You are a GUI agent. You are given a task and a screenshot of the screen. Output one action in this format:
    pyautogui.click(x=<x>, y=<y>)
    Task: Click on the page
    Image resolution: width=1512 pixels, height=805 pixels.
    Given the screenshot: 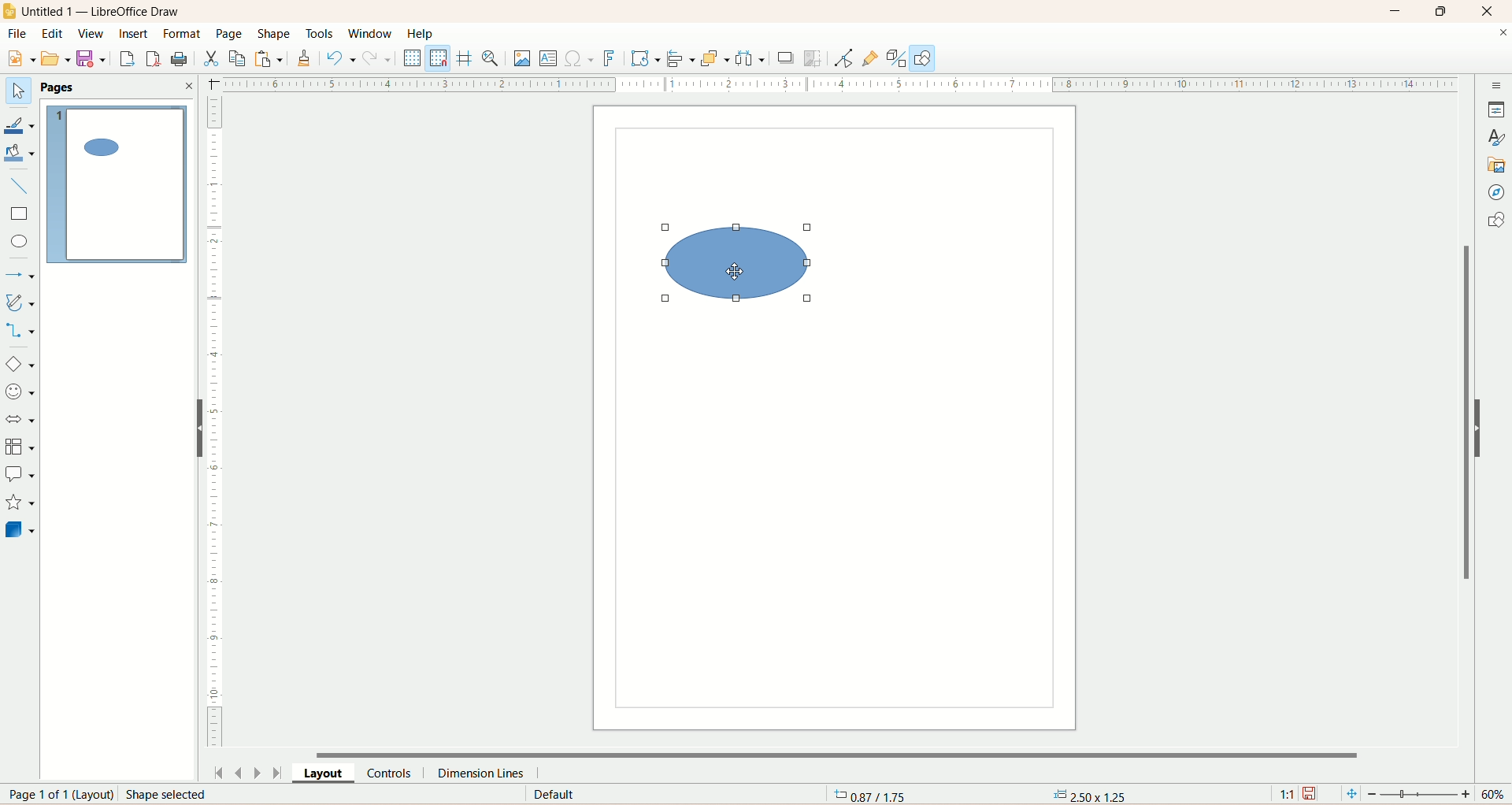 What is the action you would take?
    pyautogui.click(x=233, y=33)
    